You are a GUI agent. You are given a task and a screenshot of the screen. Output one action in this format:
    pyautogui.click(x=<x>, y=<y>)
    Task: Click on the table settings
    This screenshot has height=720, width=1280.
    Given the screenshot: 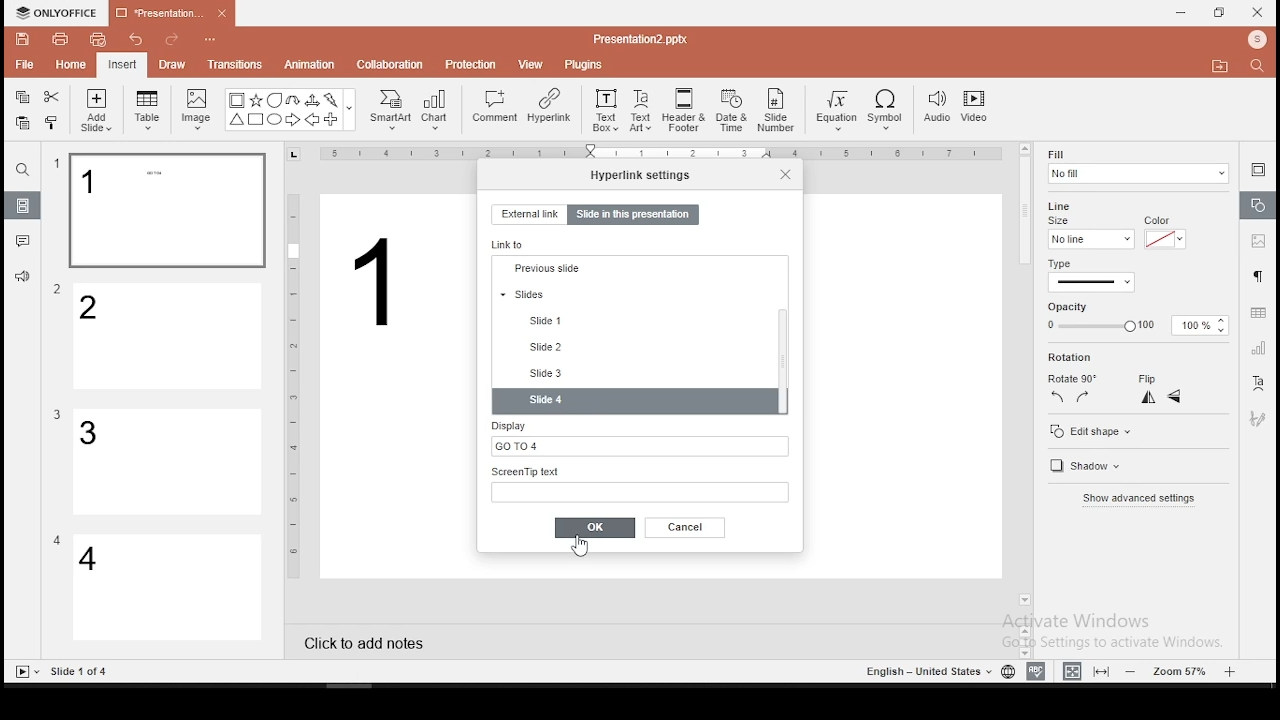 What is the action you would take?
    pyautogui.click(x=1256, y=313)
    